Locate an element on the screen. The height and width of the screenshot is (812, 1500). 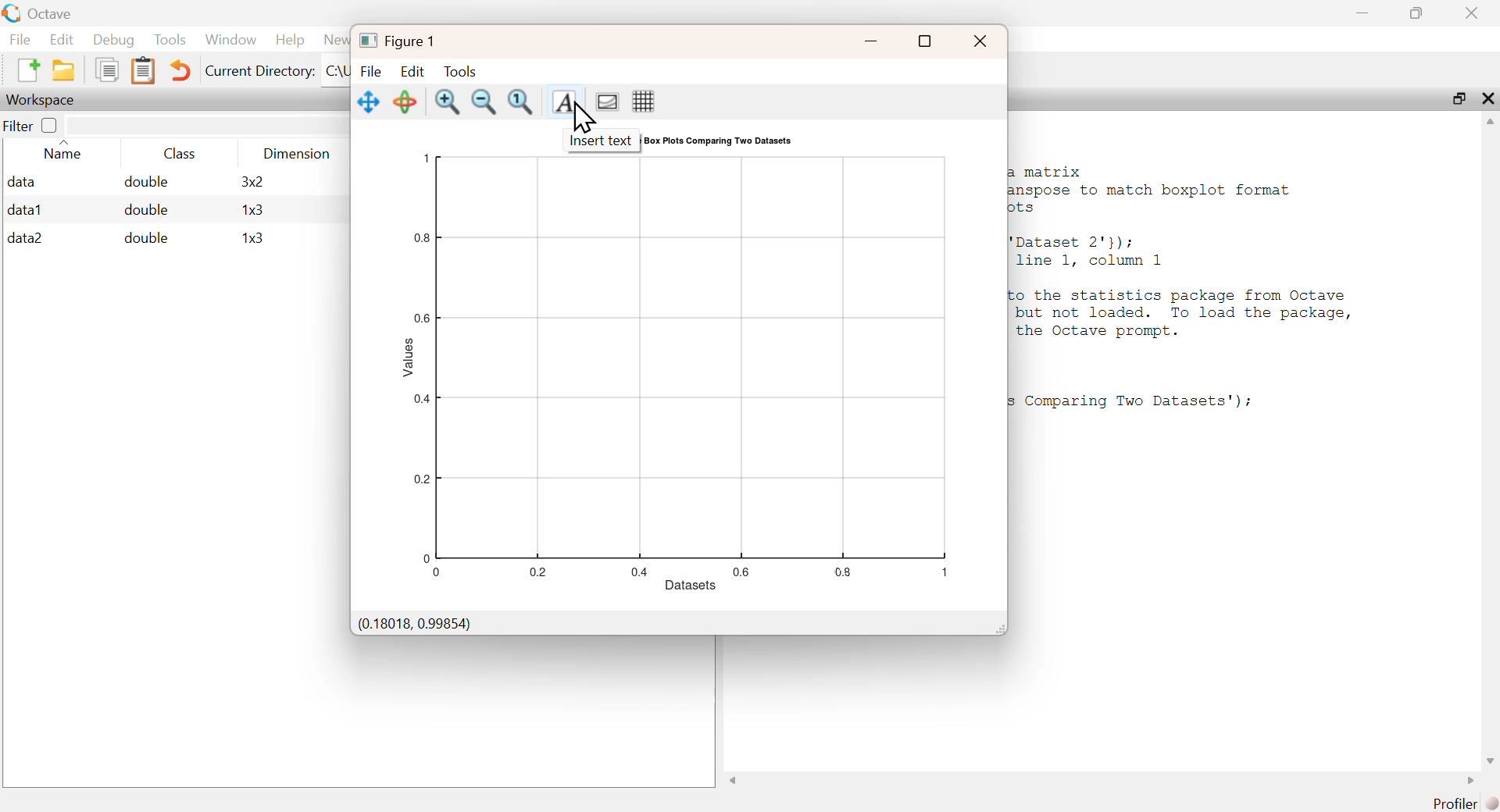
Zoom out is located at coordinates (484, 102).